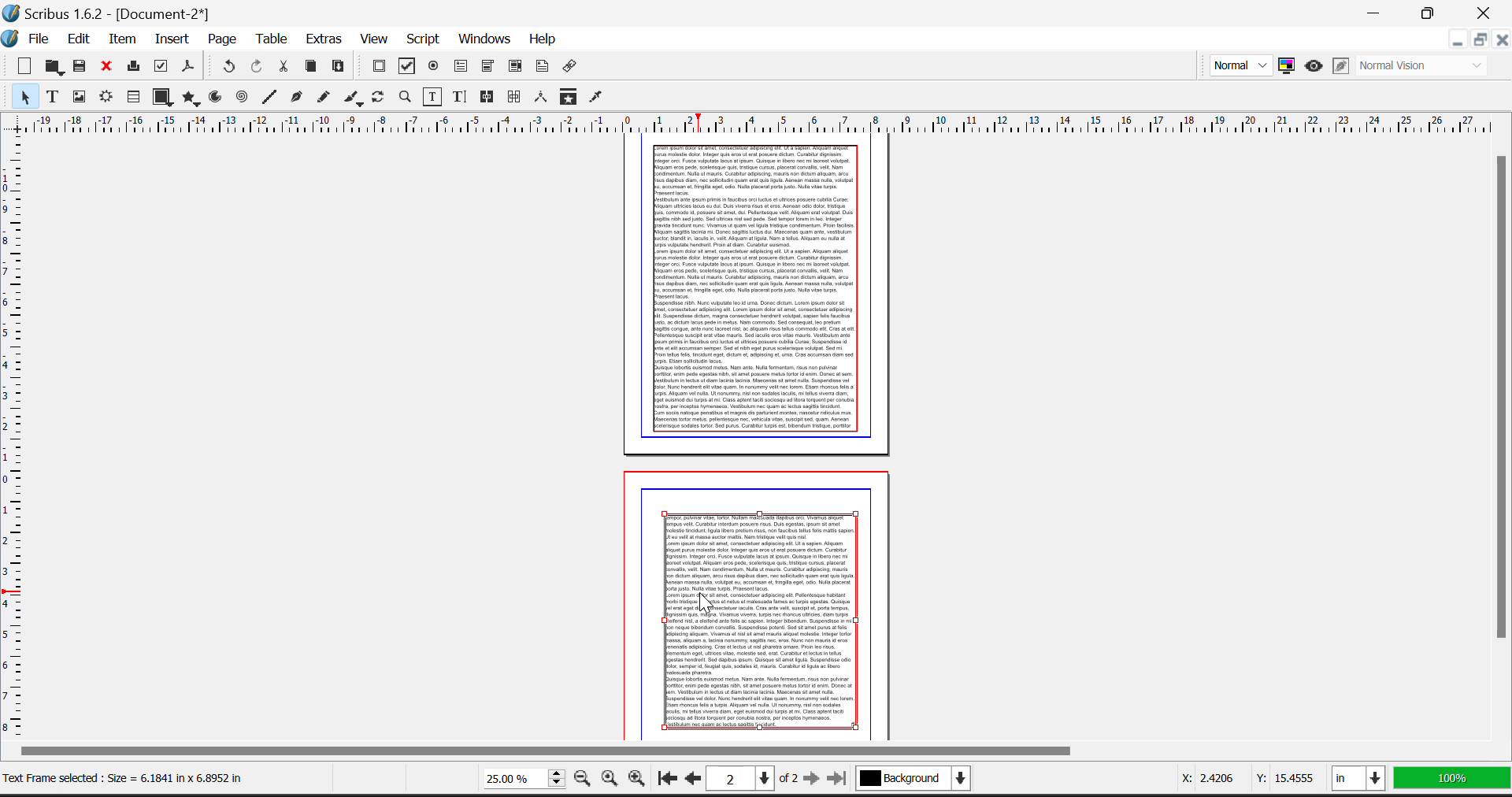 This screenshot has height=797, width=1512. What do you see at coordinates (222, 39) in the screenshot?
I see `Page` at bounding box center [222, 39].